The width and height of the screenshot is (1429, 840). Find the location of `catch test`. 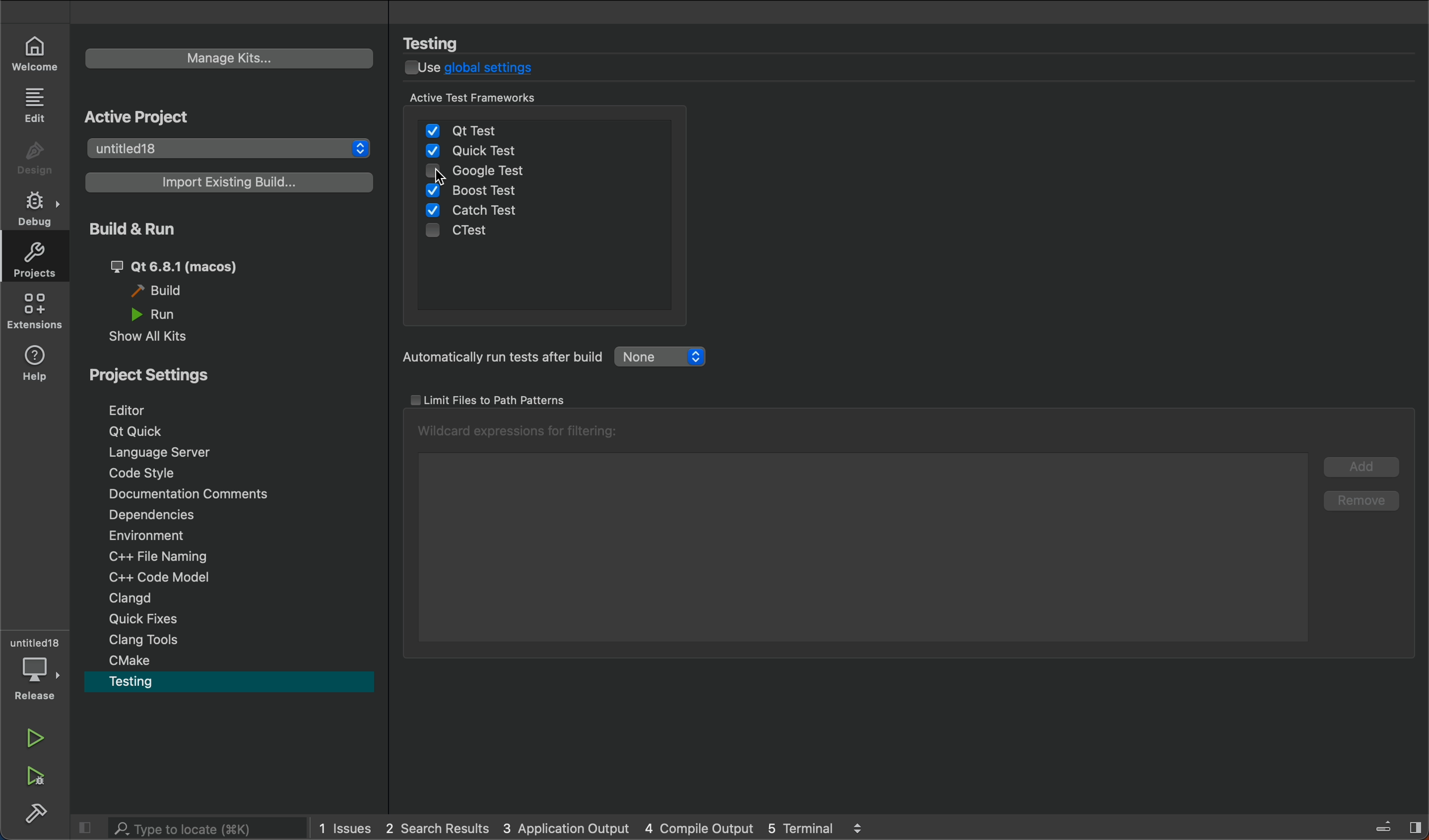

catch test is located at coordinates (484, 211).